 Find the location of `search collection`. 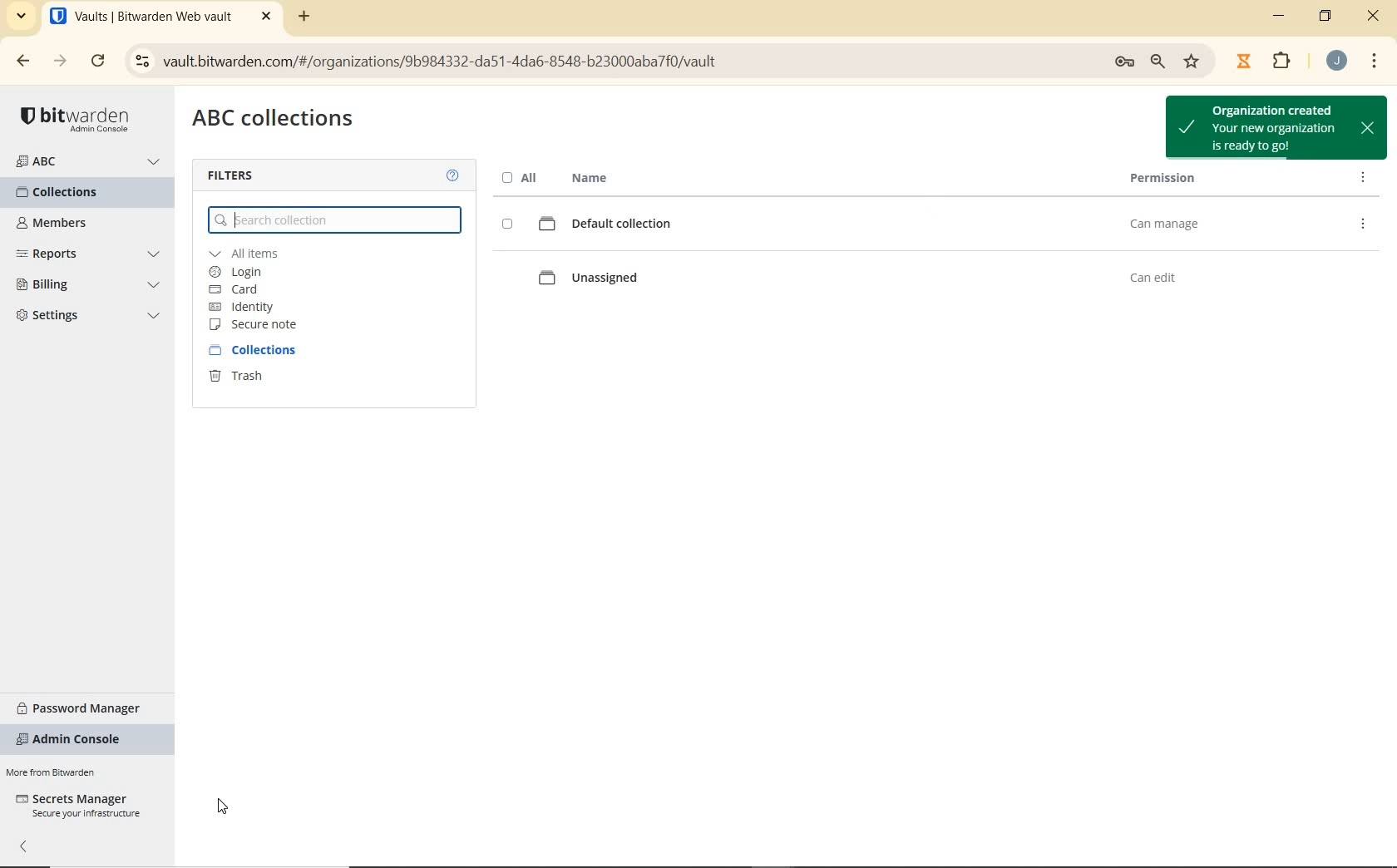

search collection is located at coordinates (336, 219).